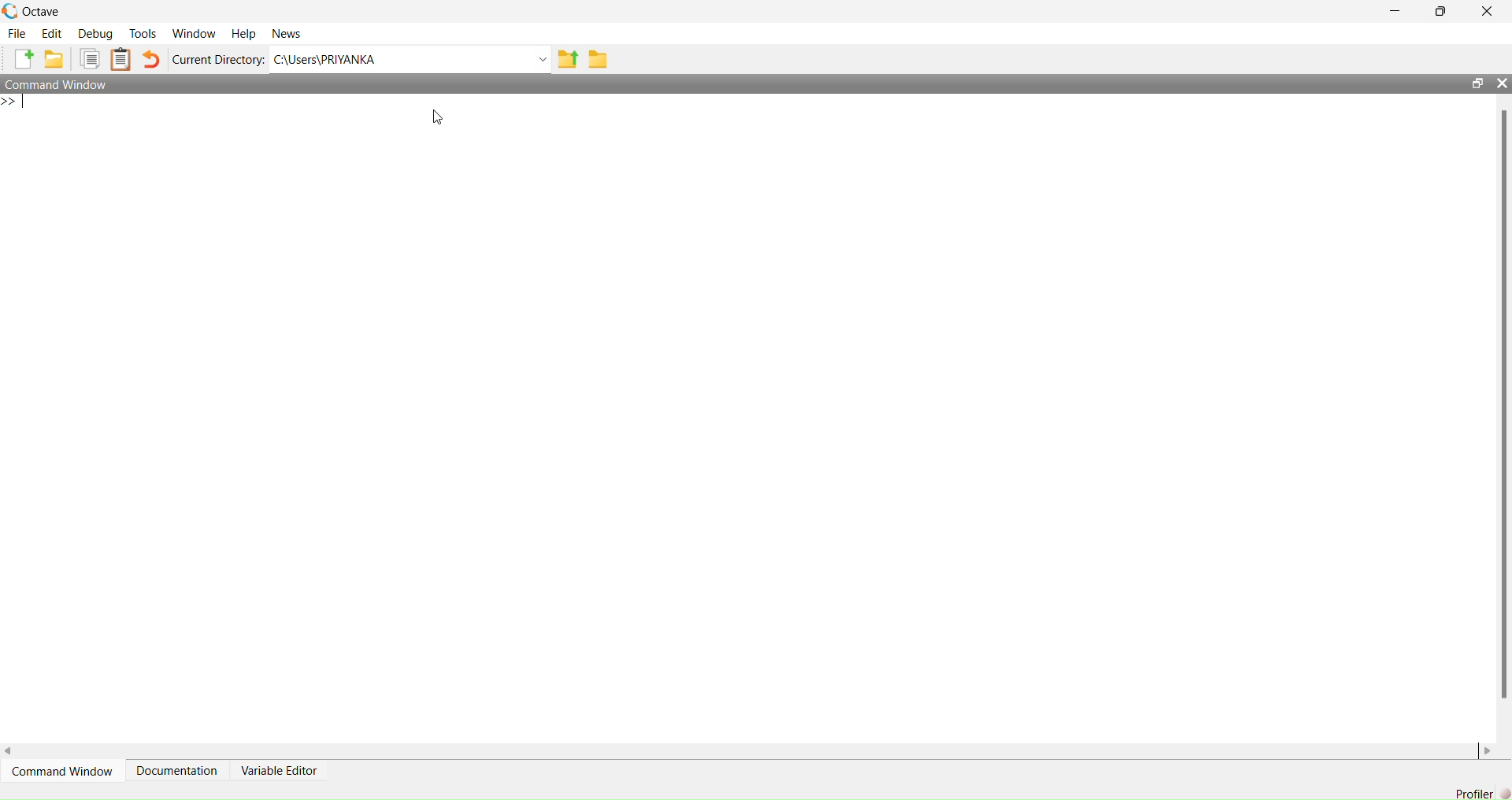 The image size is (1512, 800). Describe the element at coordinates (543, 59) in the screenshot. I see `Drop-down ` at that location.